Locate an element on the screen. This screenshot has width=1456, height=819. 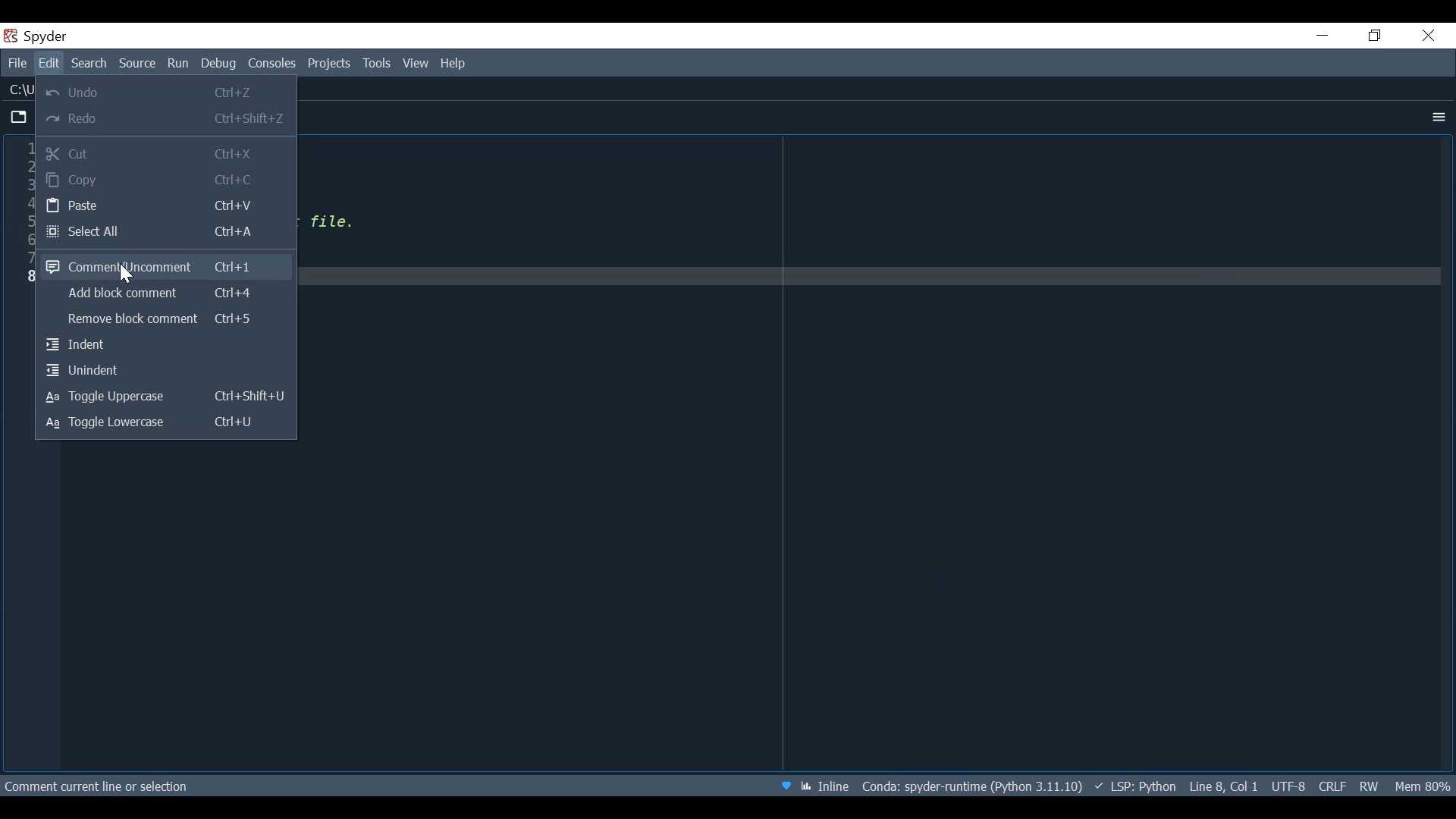
View is located at coordinates (416, 64).